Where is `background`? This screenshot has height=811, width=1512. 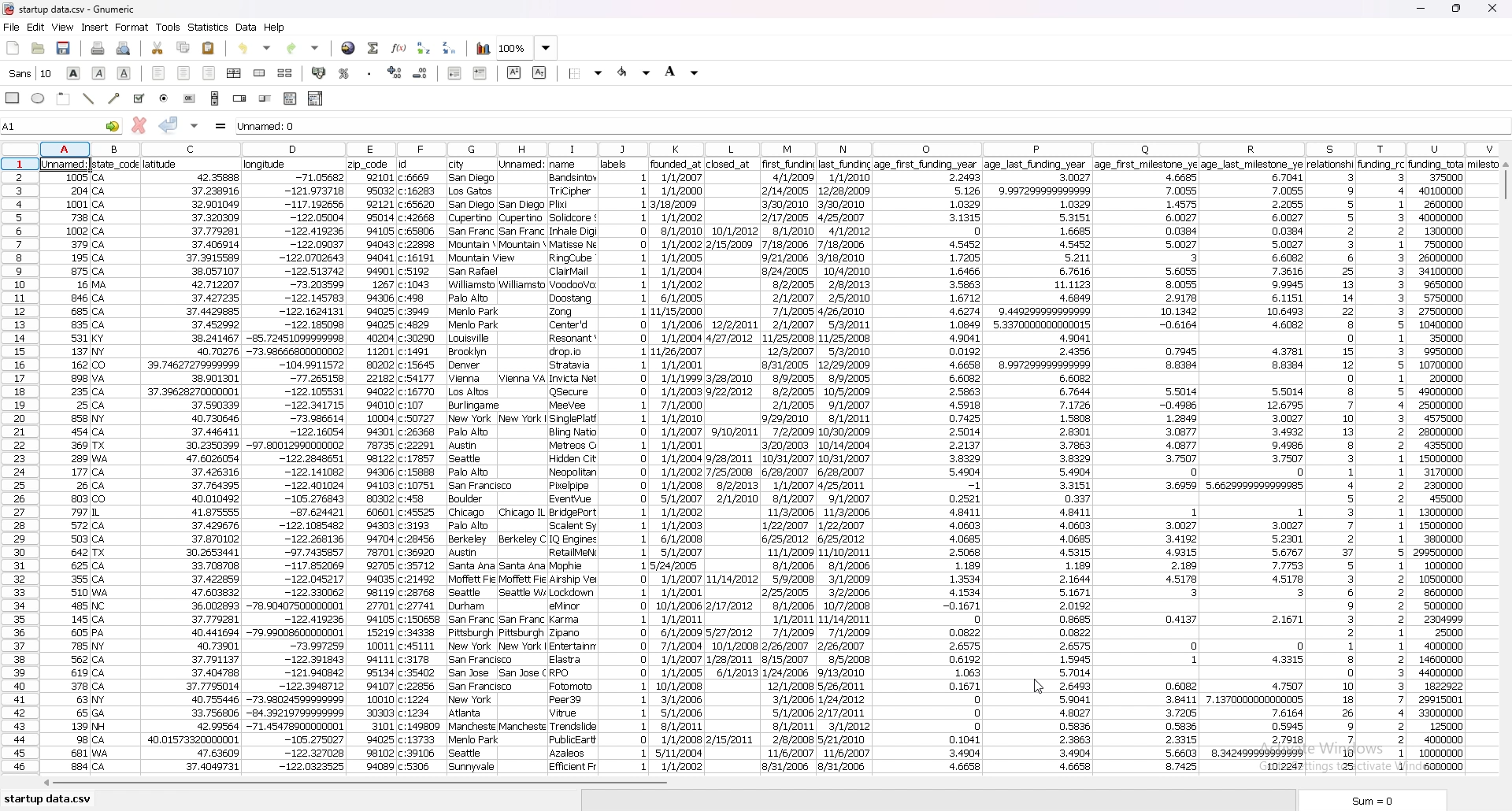
background is located at coordinates (682, 72).